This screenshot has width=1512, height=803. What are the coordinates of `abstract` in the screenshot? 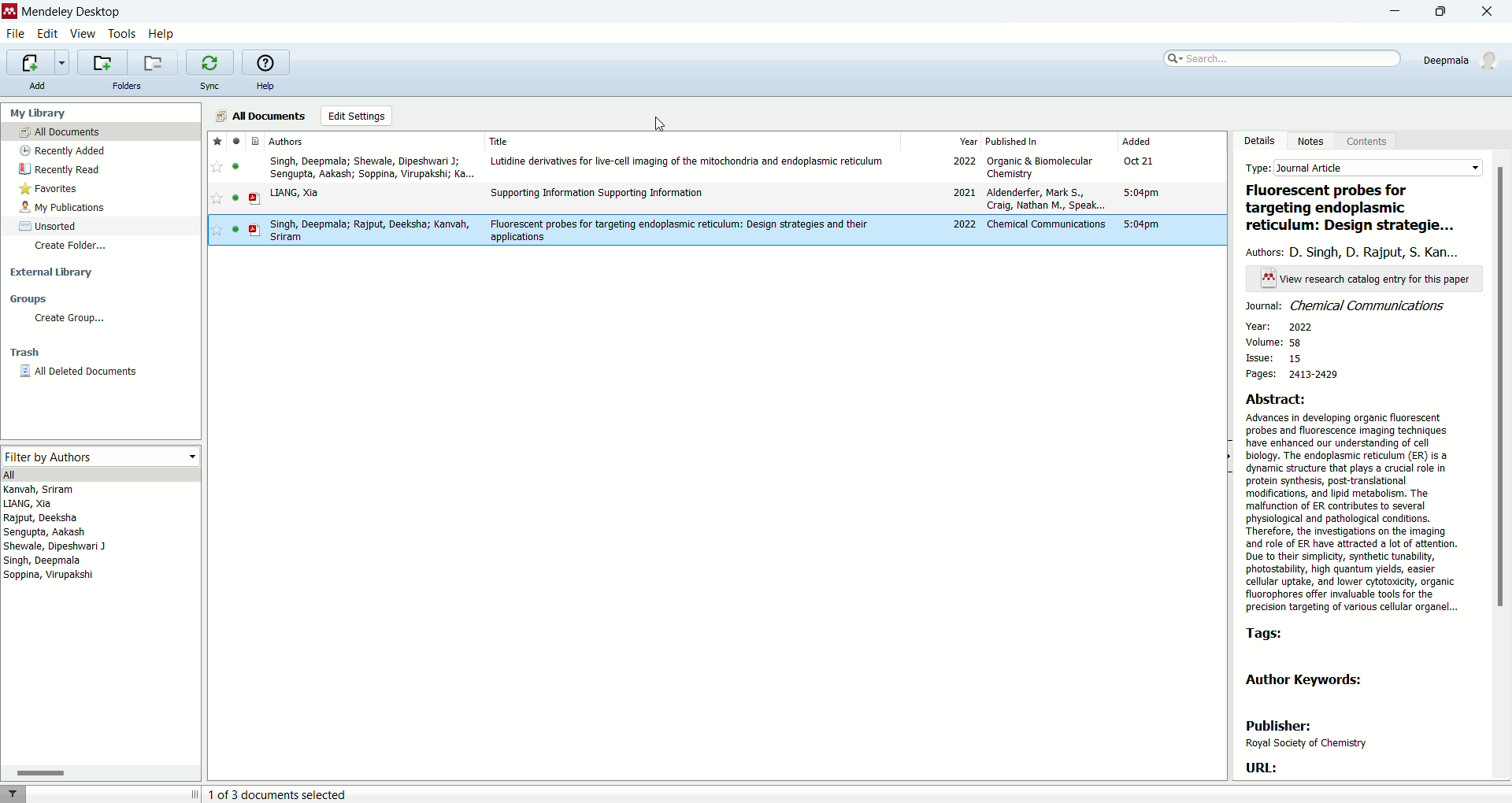 It's located at (1362, 503).